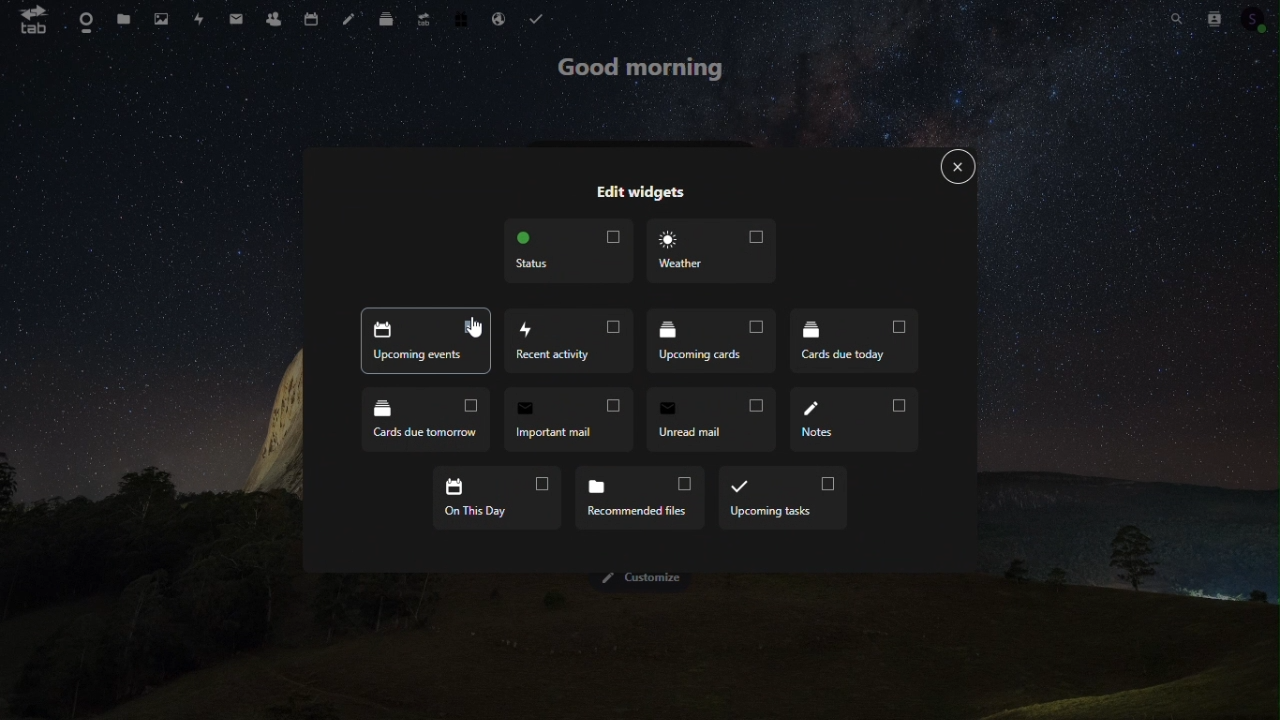 This screenshot has height=720, width=1280. I want to click on Edit widgets, so click(639, 193).